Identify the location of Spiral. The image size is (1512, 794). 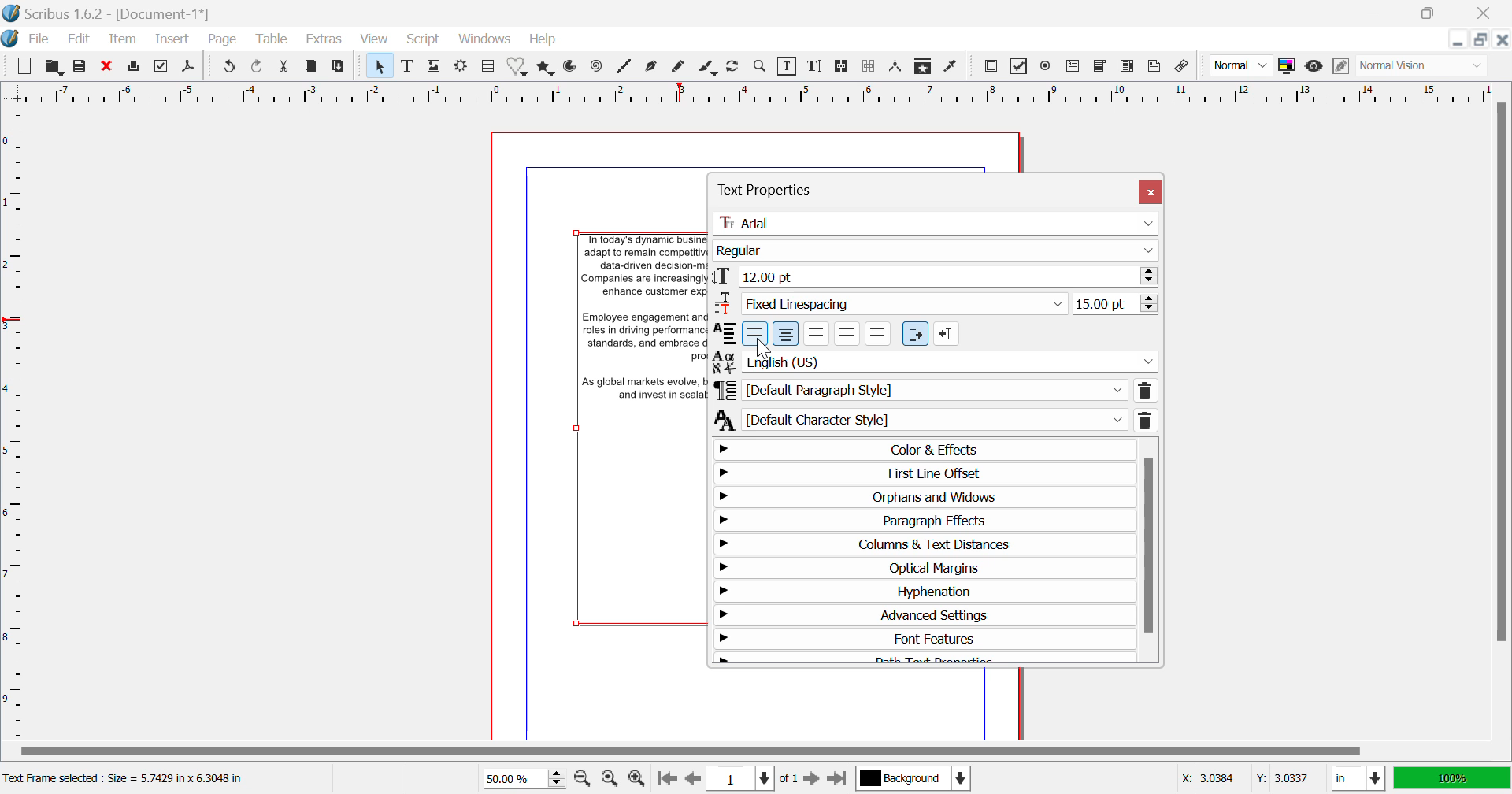
(595, 66).